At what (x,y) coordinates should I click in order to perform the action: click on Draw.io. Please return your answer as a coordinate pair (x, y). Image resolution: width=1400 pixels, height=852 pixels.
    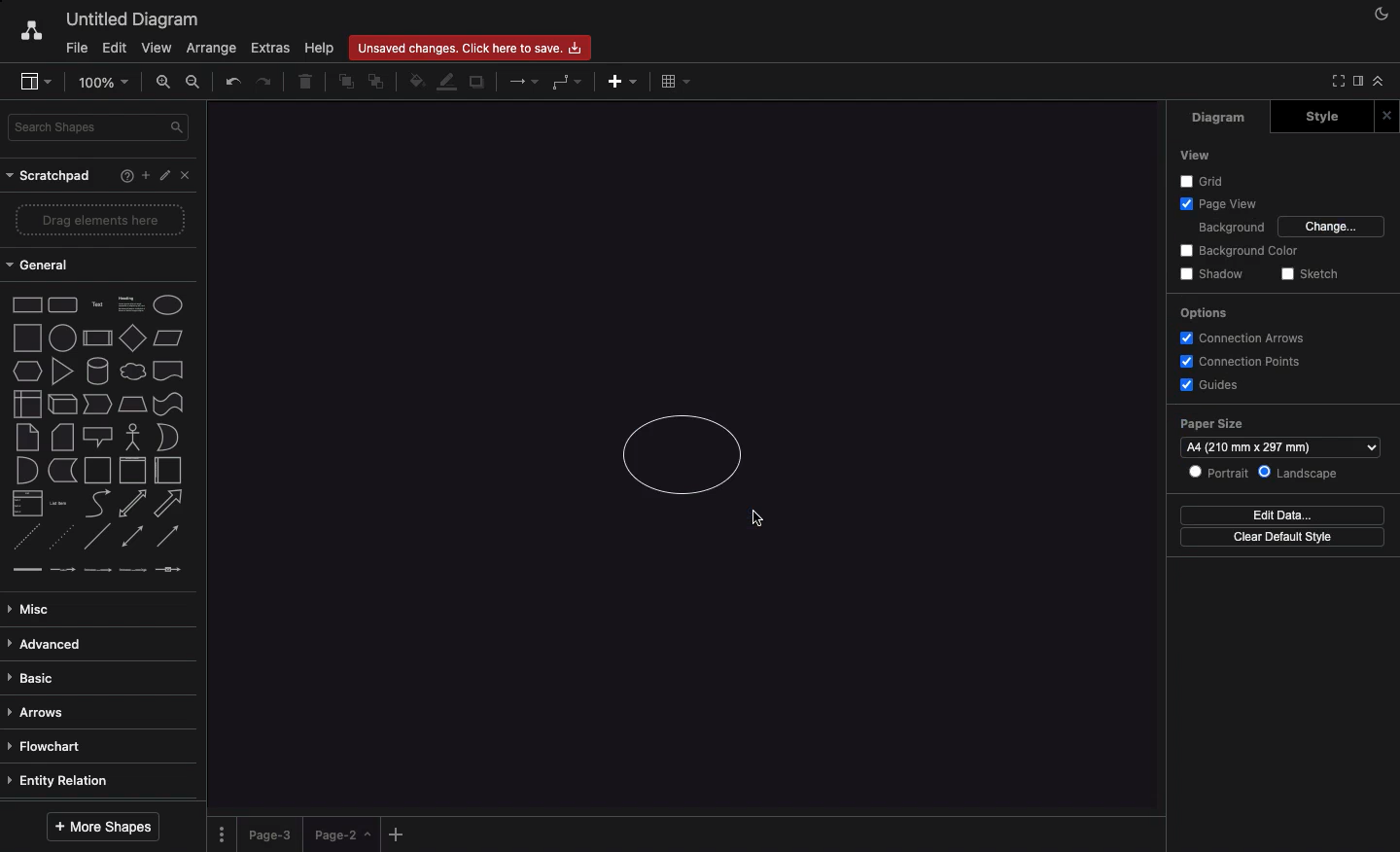
    Looking at the image, I should click on (21, 33).